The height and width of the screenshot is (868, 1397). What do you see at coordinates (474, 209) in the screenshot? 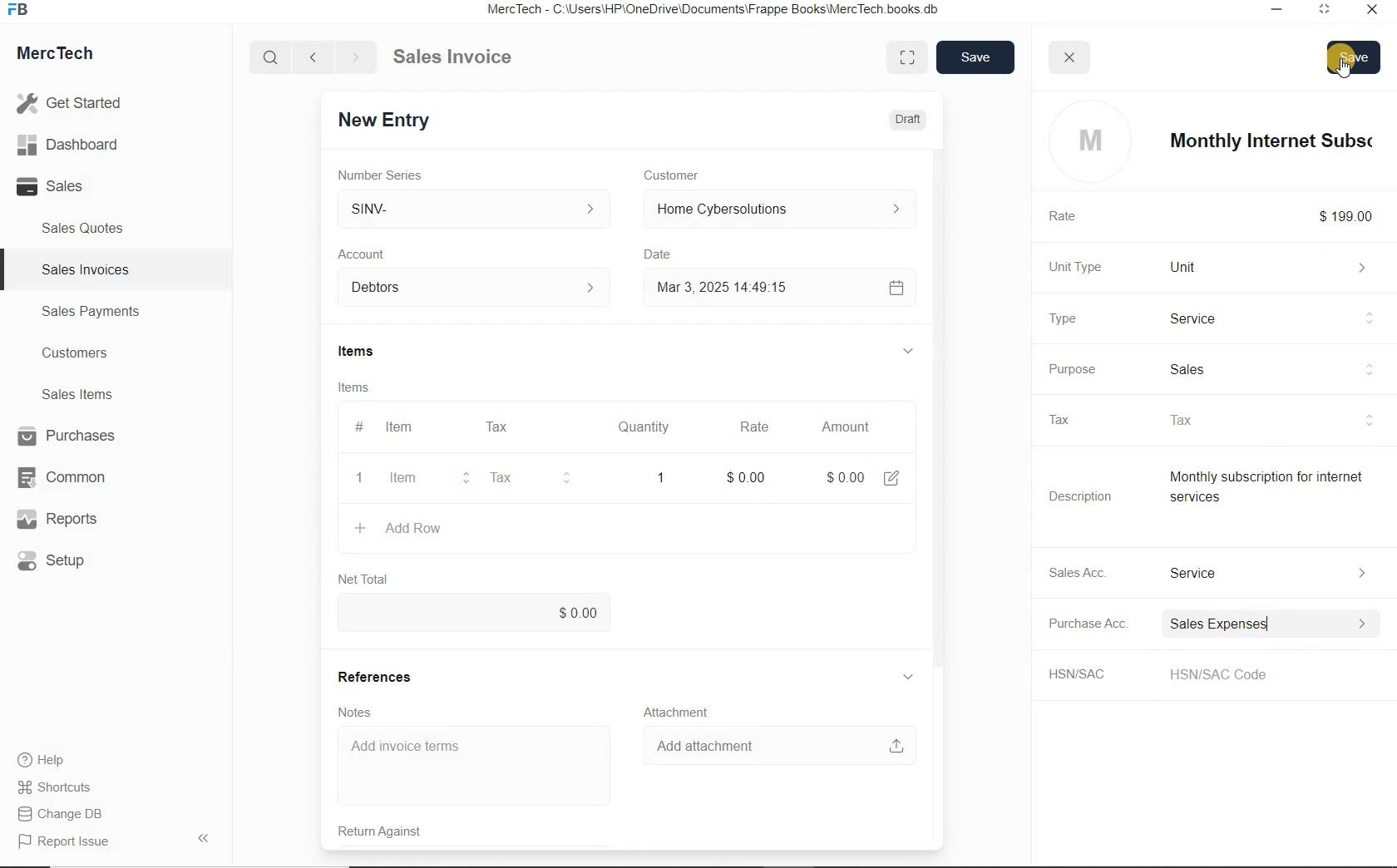
I see `SINV-` at bounding box center [474, 209].